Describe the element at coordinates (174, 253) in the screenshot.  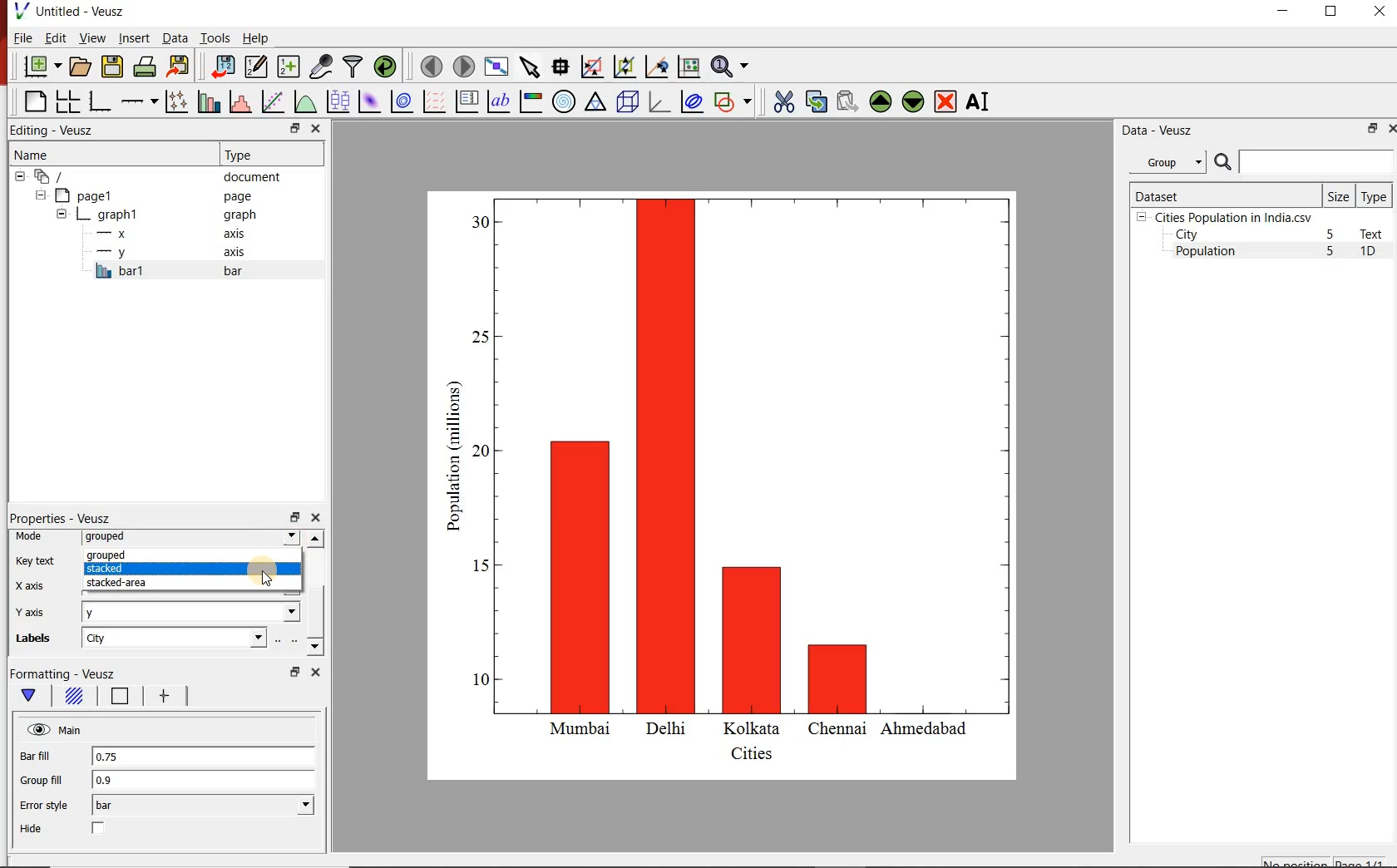
I see `y axis` at that location.